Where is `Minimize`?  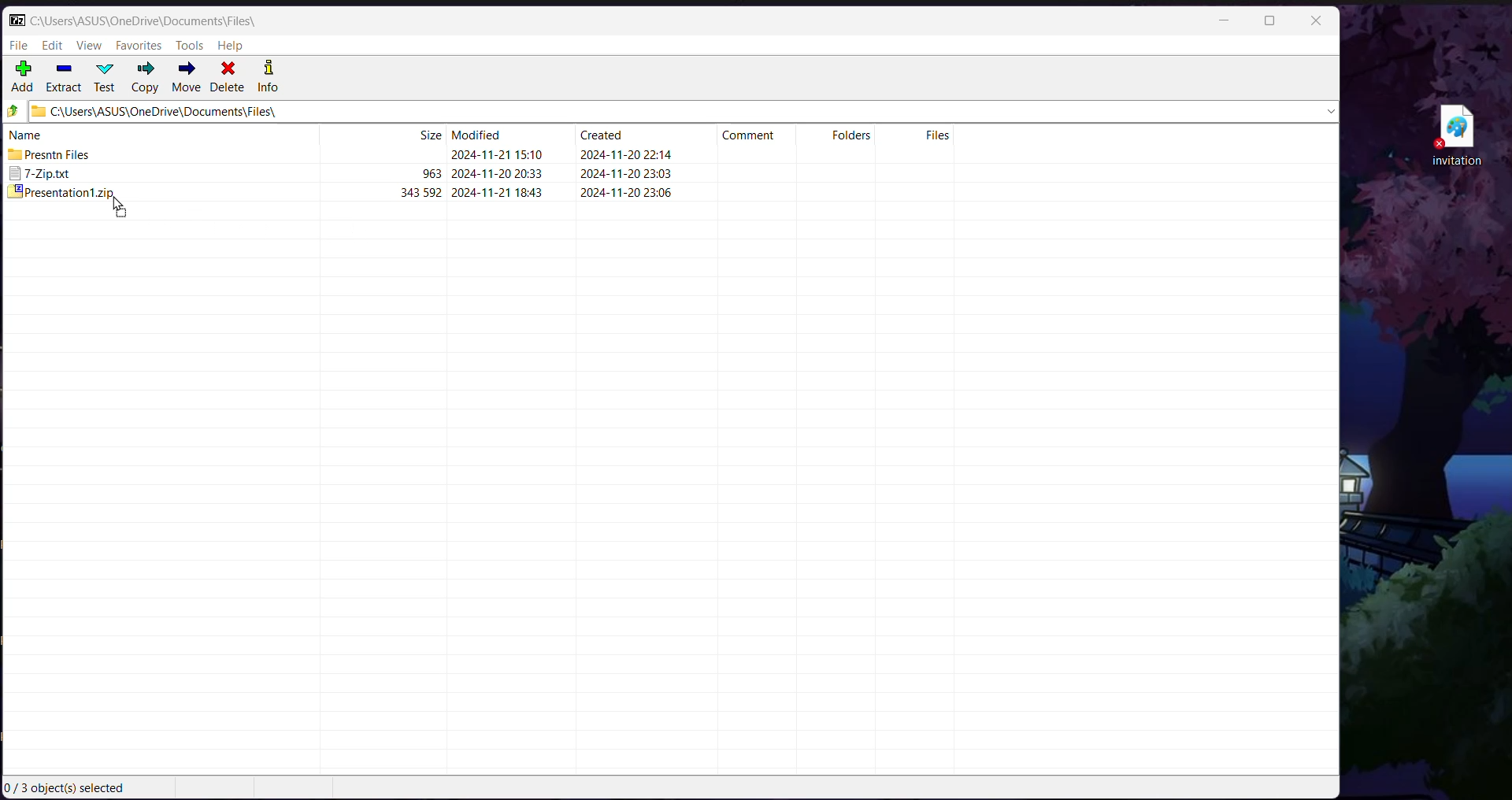 Minimize is located at coordinates (1226, 21).